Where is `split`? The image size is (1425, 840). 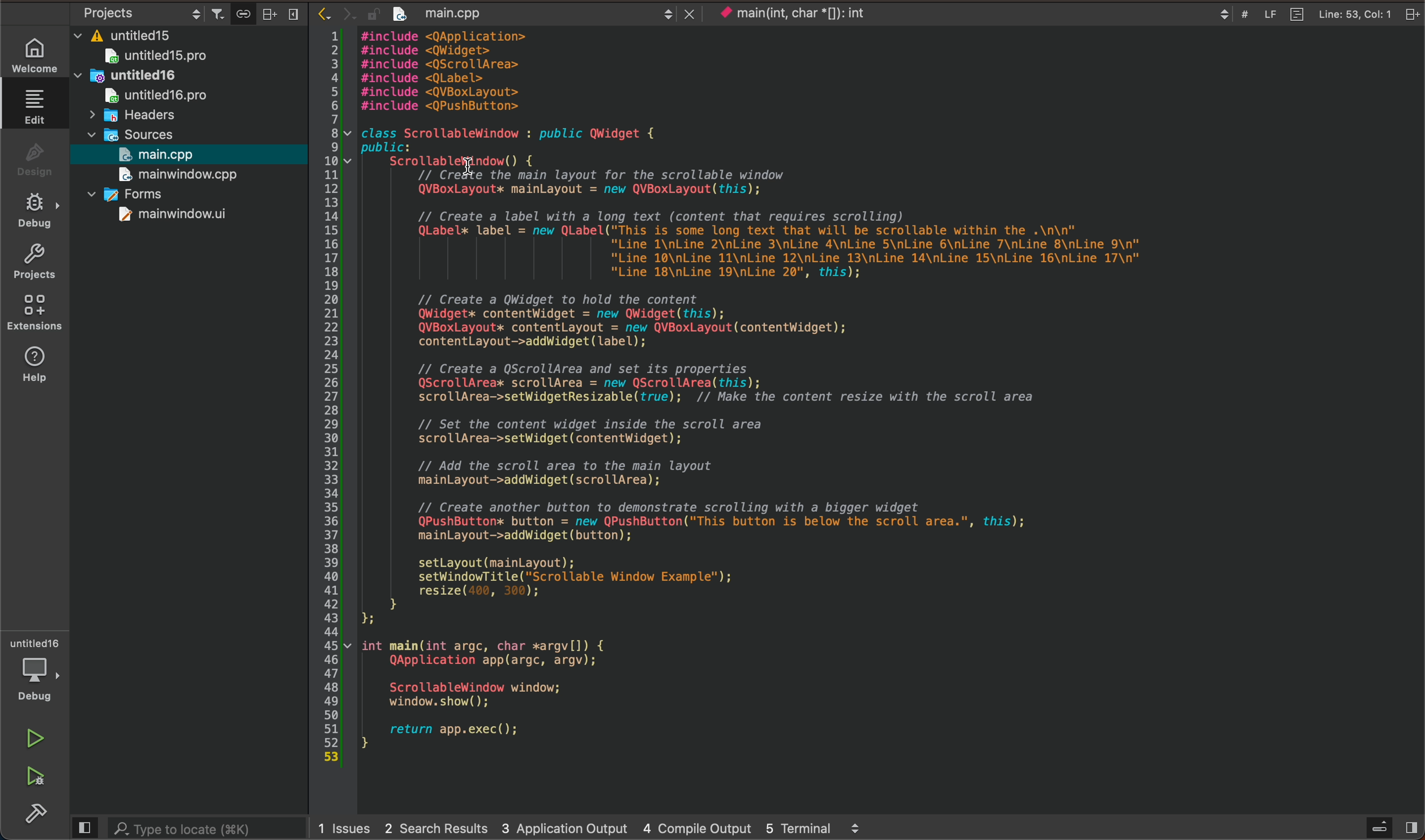
split is located at coordinates (268, 13).